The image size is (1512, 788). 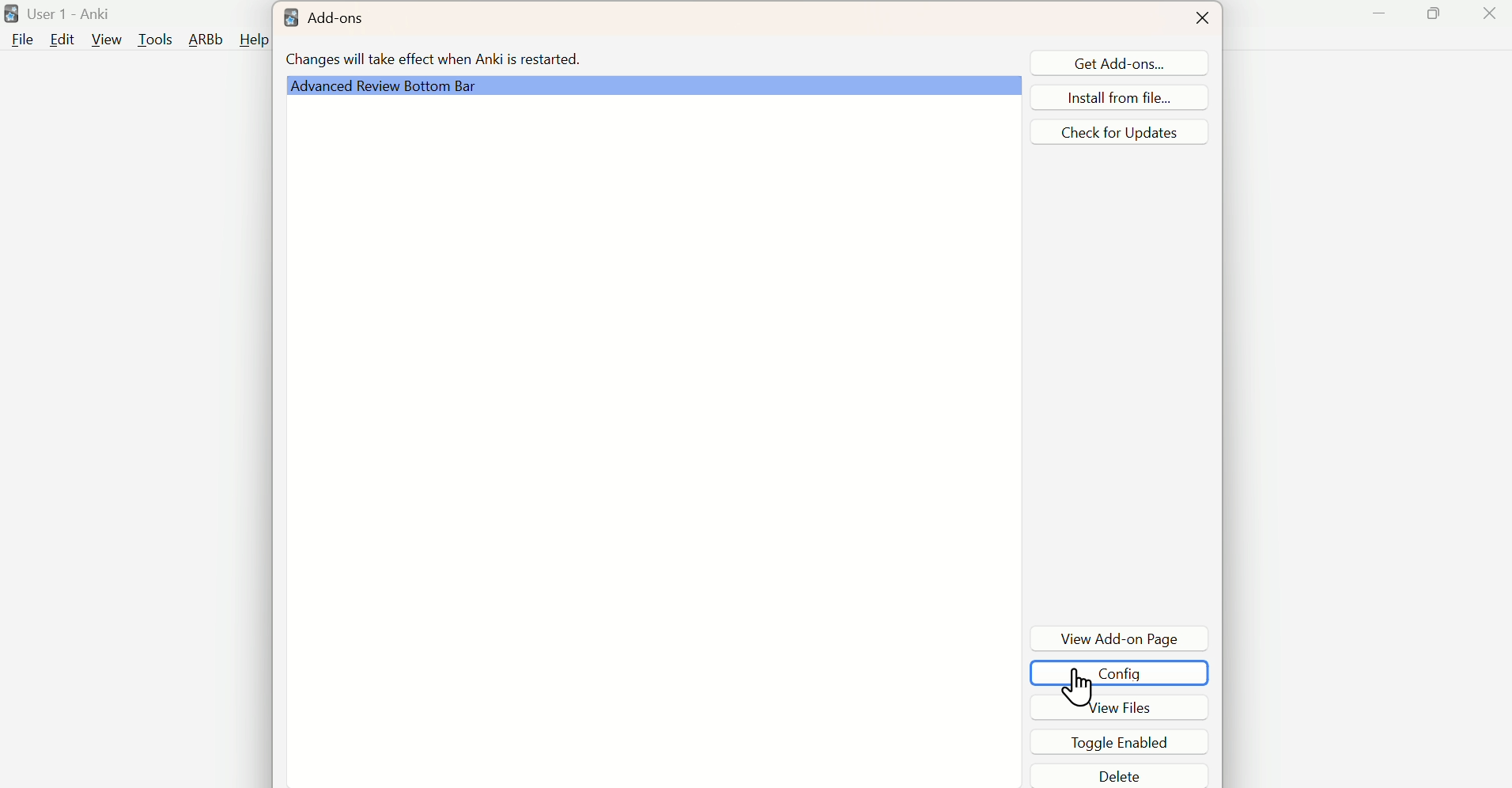 I want to click on Tools, so click(x=157, y=40).